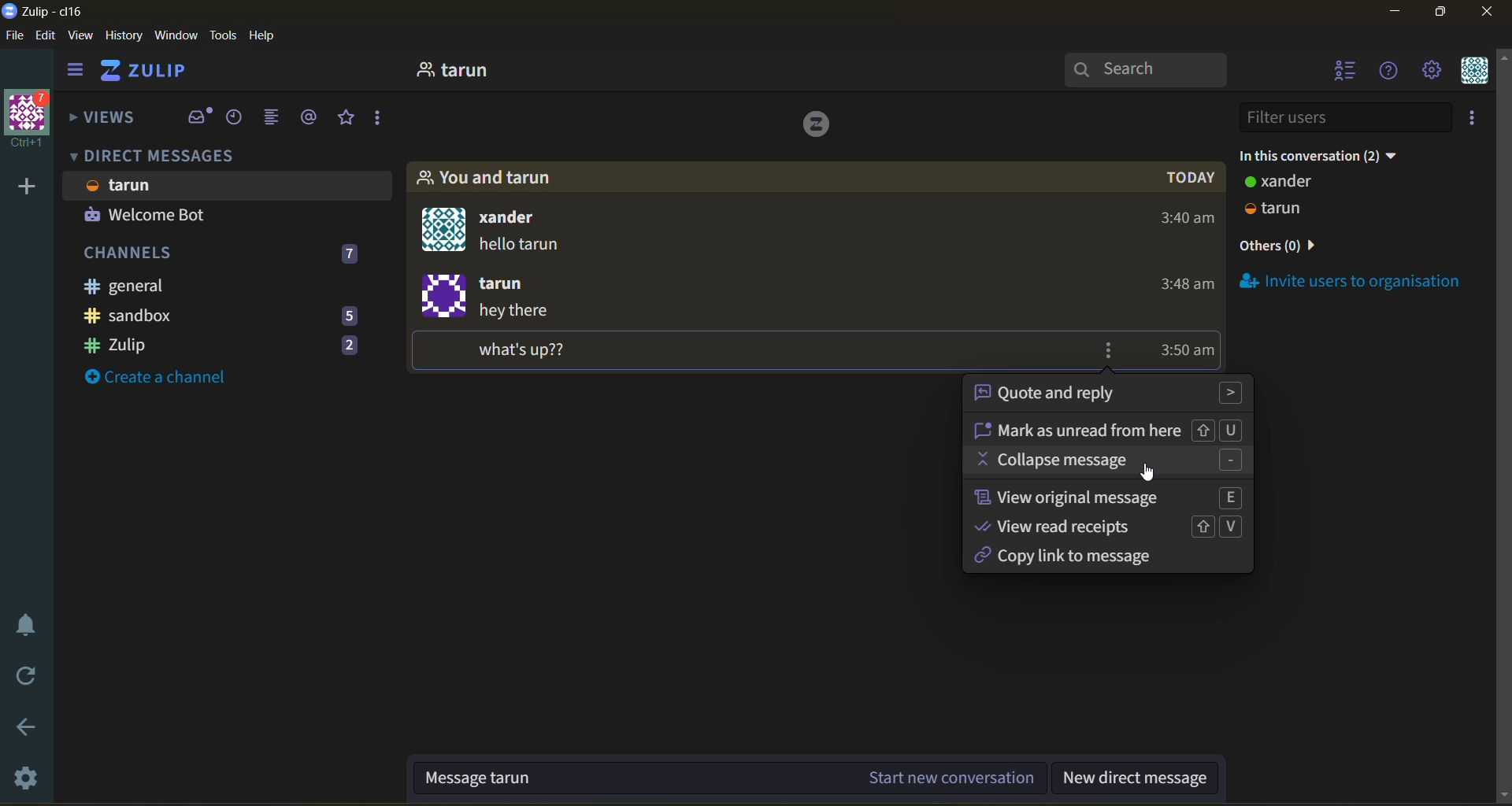 This screenshot has height=806, width=1512. What do you see at coordinates (151, 217) in the screenshot?
I see `user 2` at bounding box center [151, 217].